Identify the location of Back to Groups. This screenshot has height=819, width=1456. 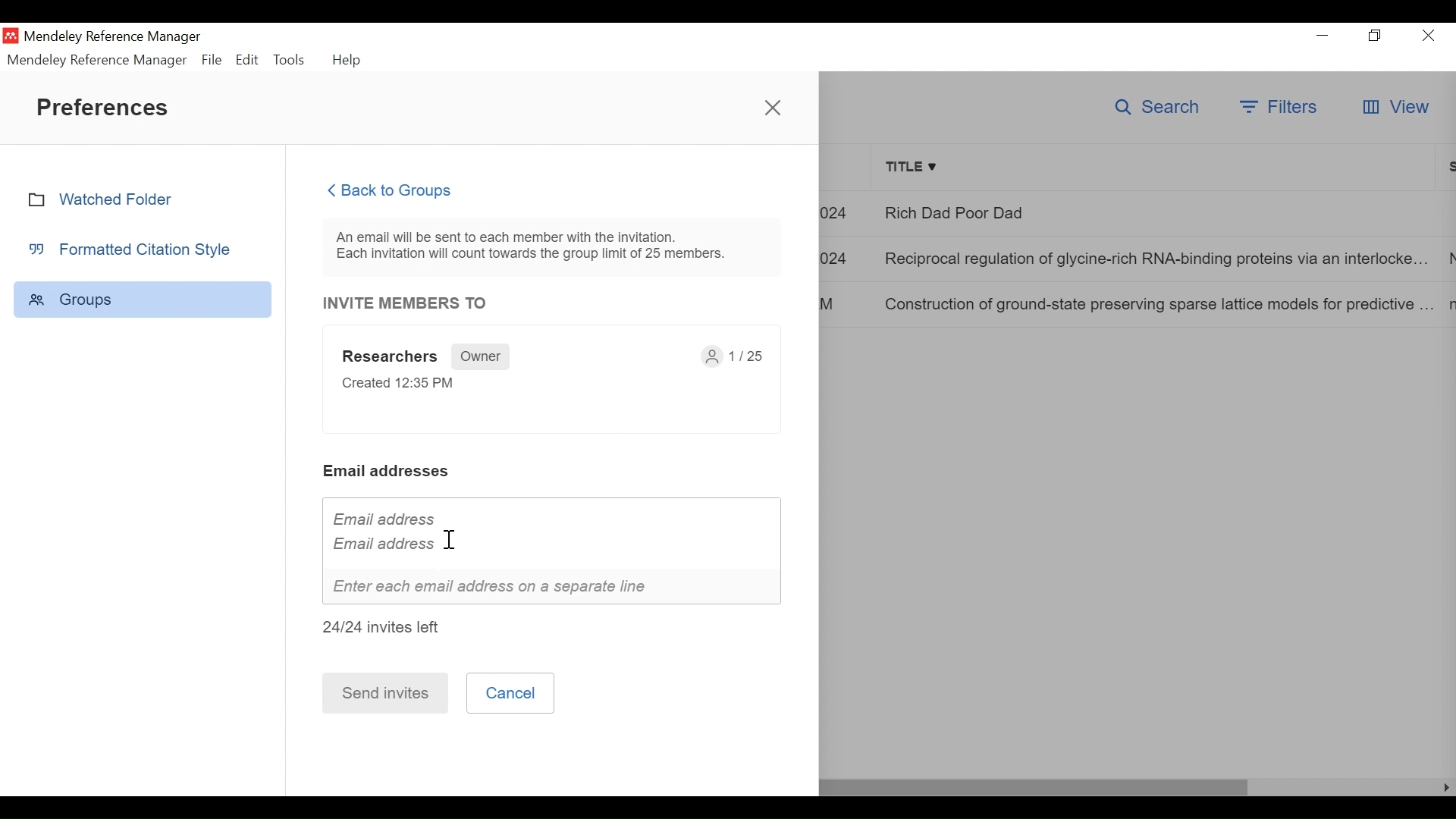
(400, 190).